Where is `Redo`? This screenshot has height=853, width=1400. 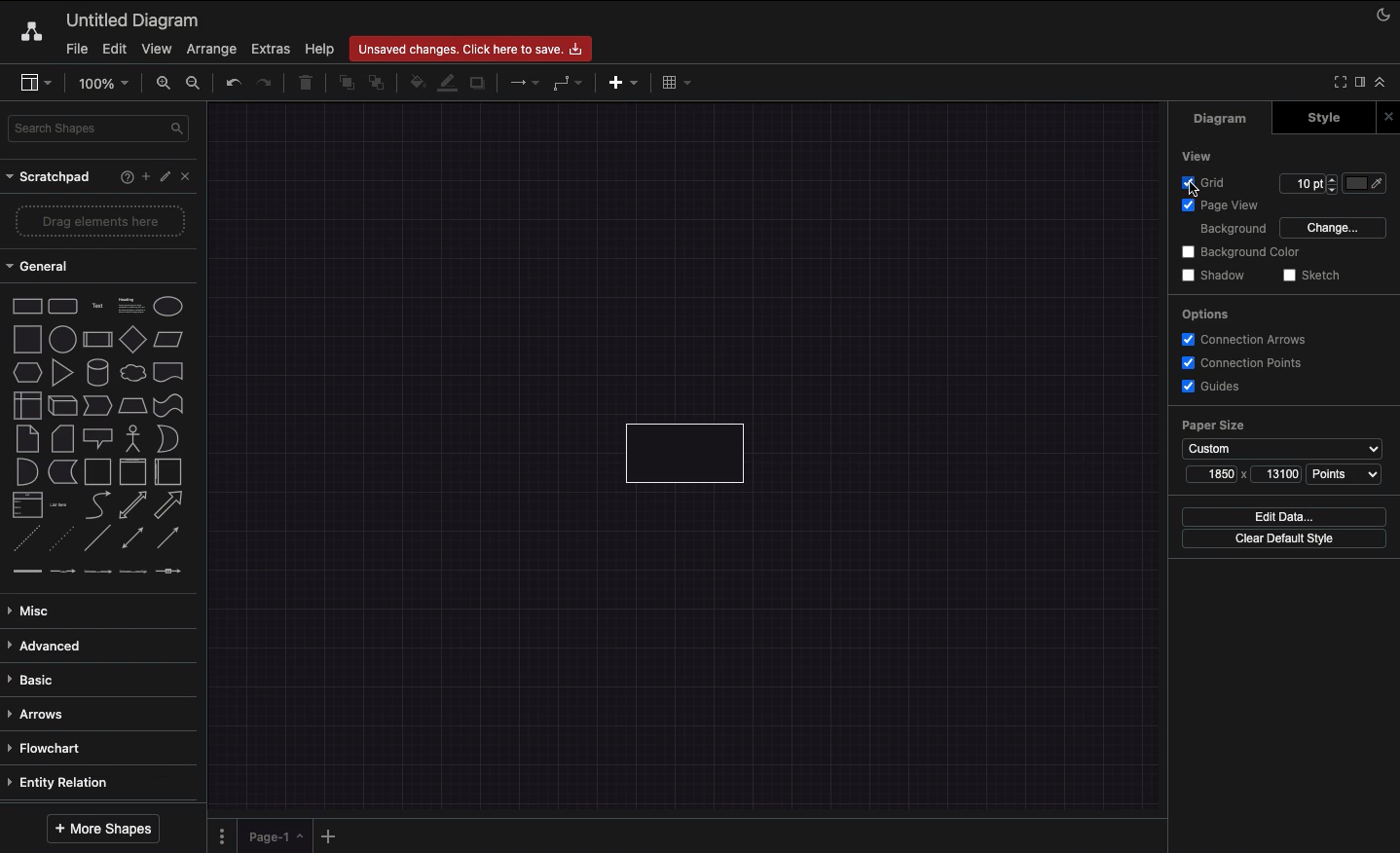 Redo is located at coordinates (266, 83).